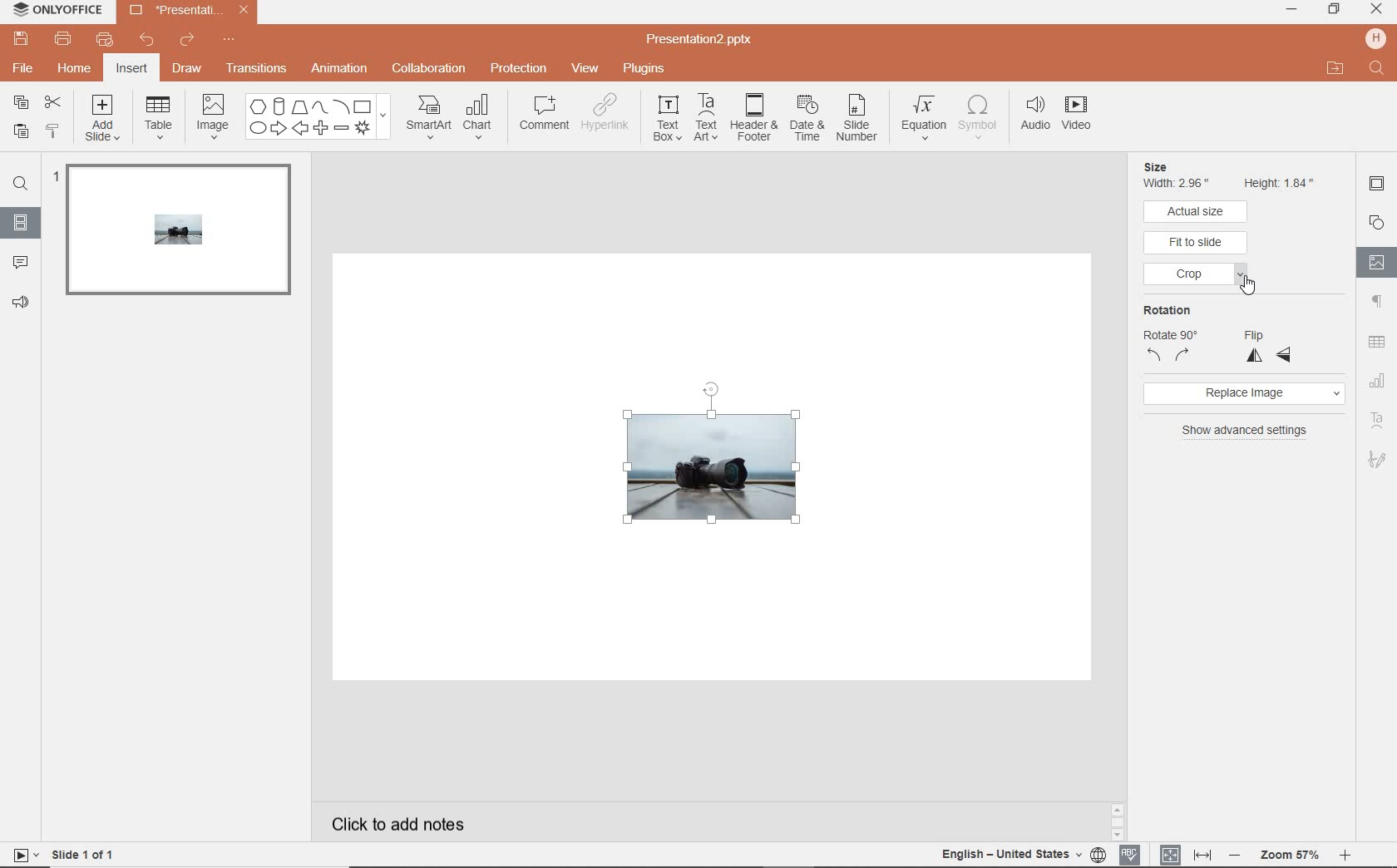  What do you see at coordinates (1251, 284) in the screenshot?
I see `cursor` at bounding box center [1251, 284].